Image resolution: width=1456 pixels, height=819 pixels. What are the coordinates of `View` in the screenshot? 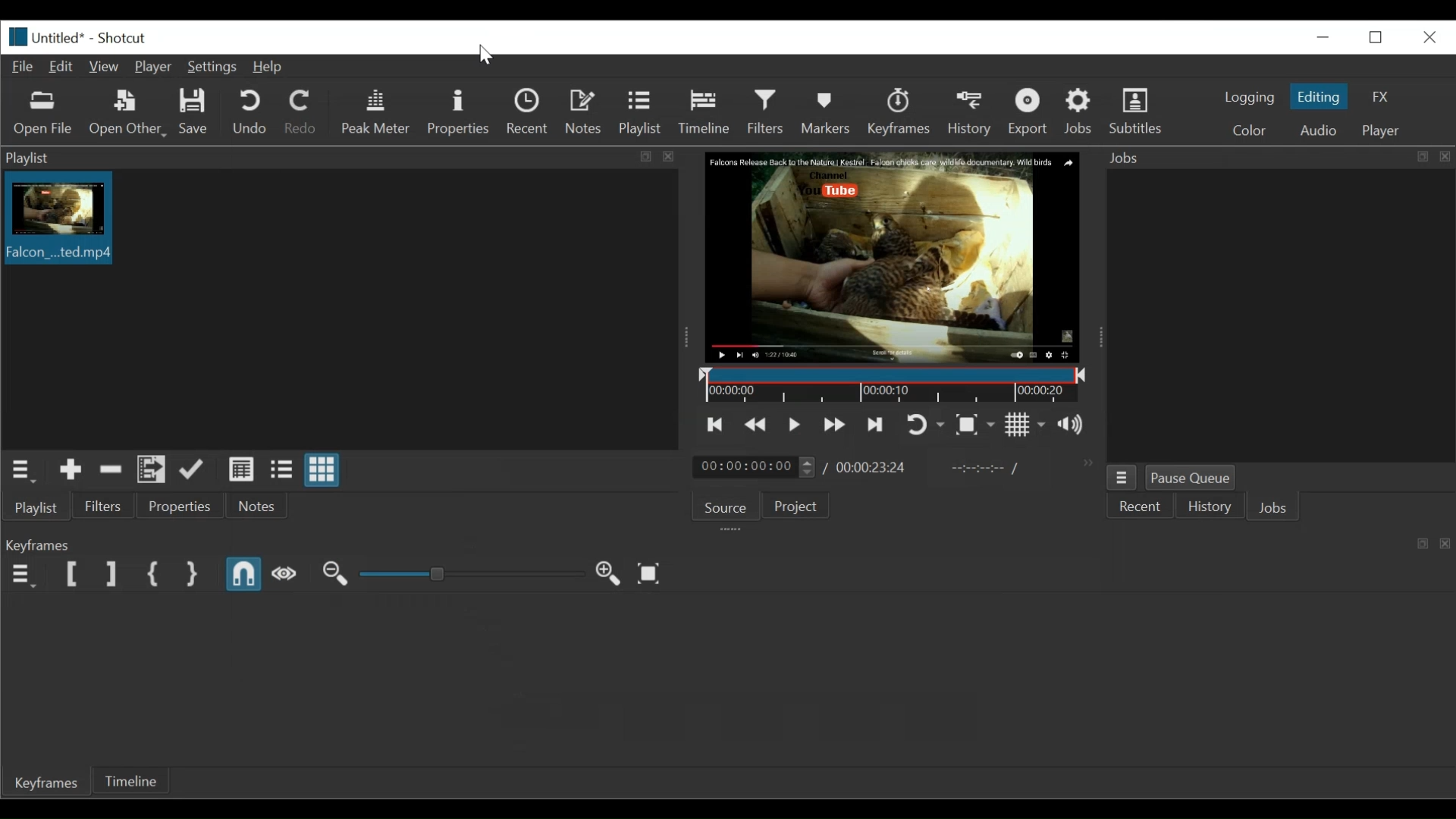 It's located at (105, 67).